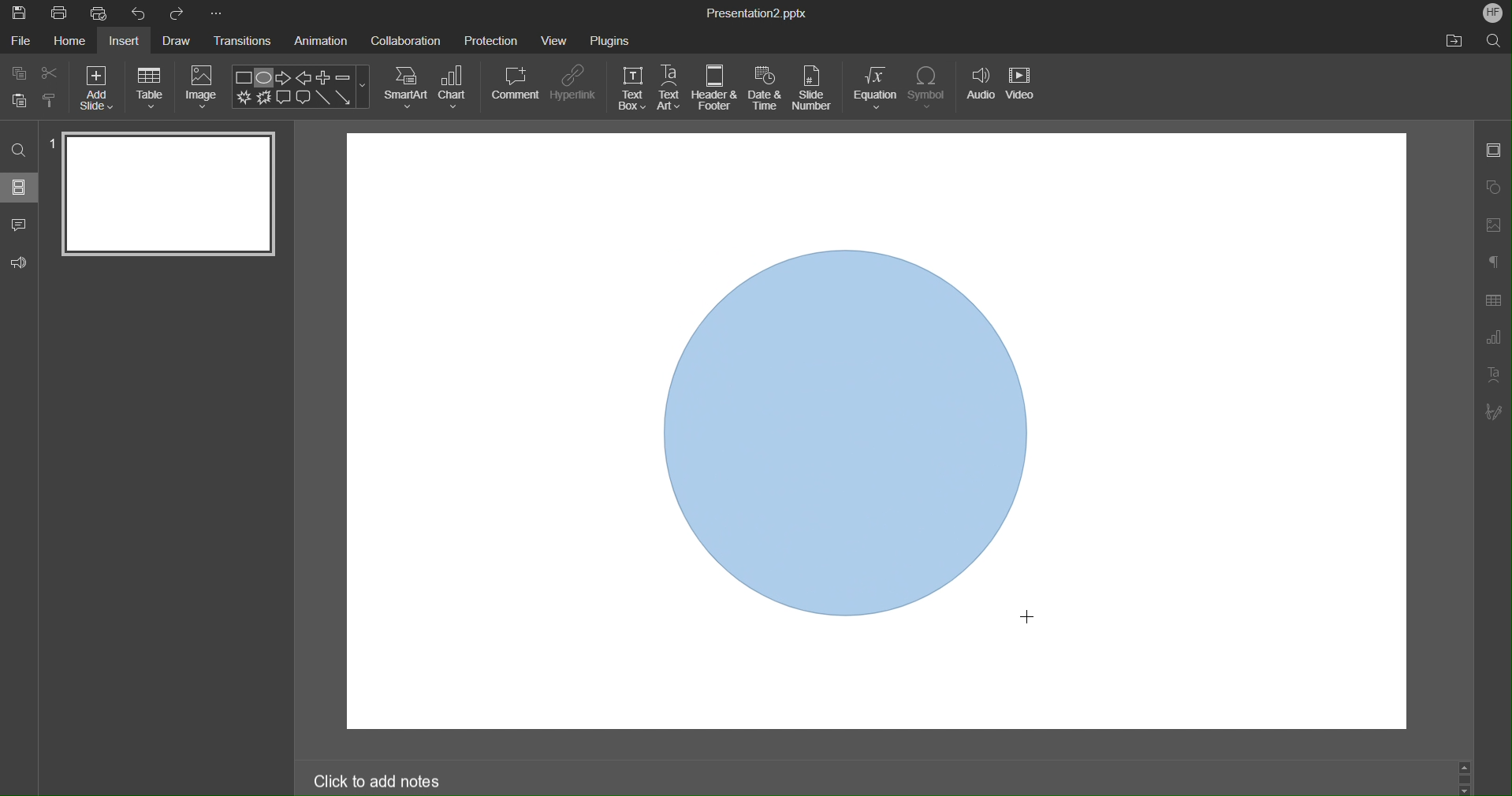  What do you see at coordinates (378, 780) in the screenshot?
I see `Click to add notes` at bounding box center [378, 780].